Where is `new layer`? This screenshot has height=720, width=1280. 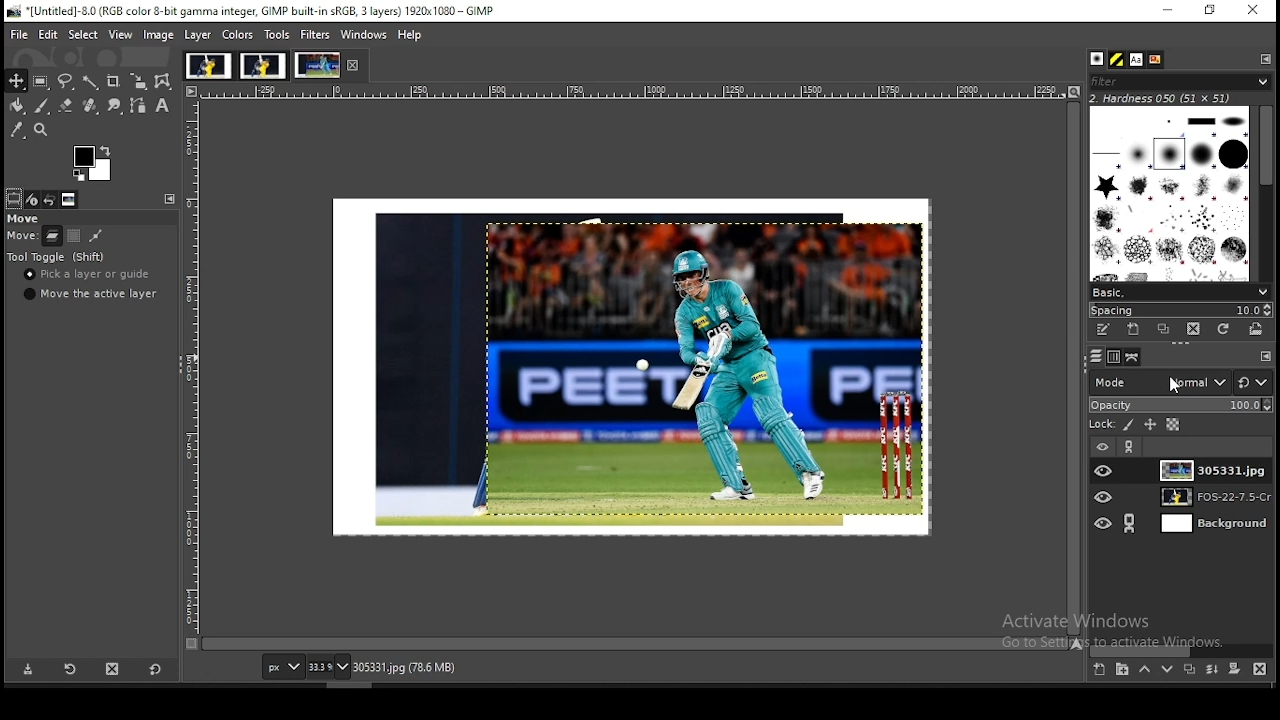 new layer is located at coordinates (1101, 669).